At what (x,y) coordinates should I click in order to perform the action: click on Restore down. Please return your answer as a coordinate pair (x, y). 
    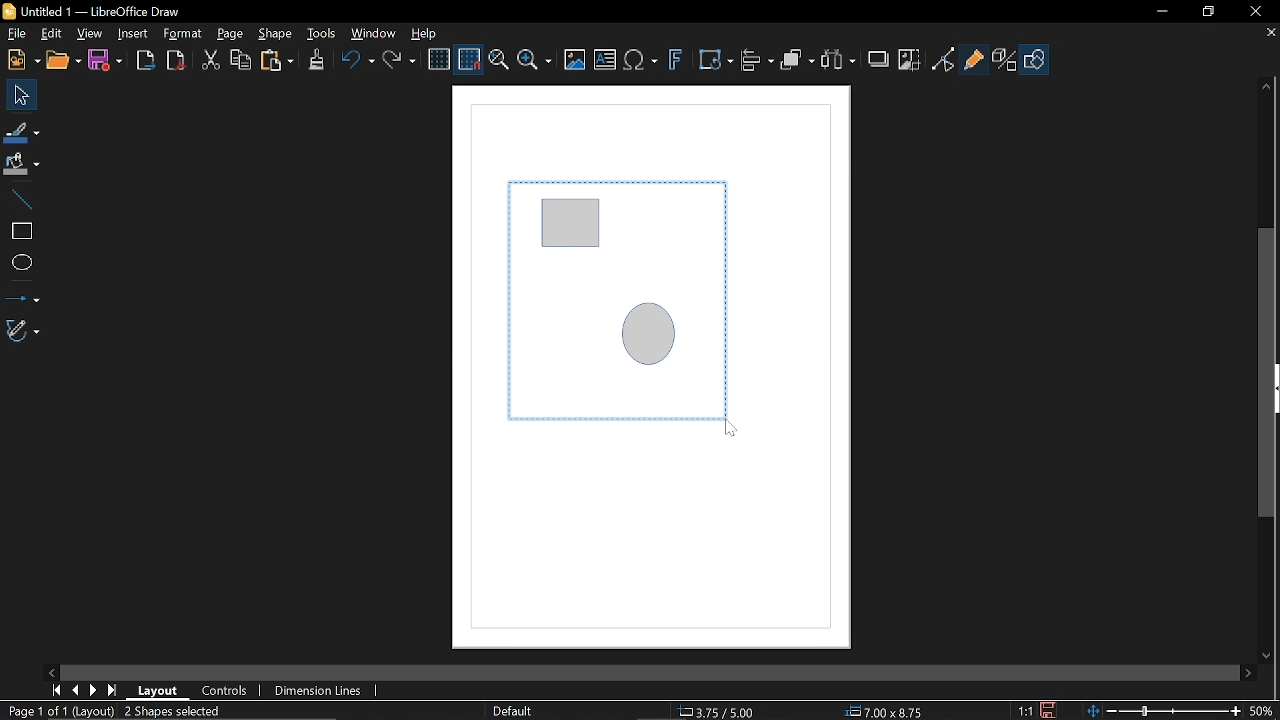
    Looking at the image, I should click on (1206, 11).